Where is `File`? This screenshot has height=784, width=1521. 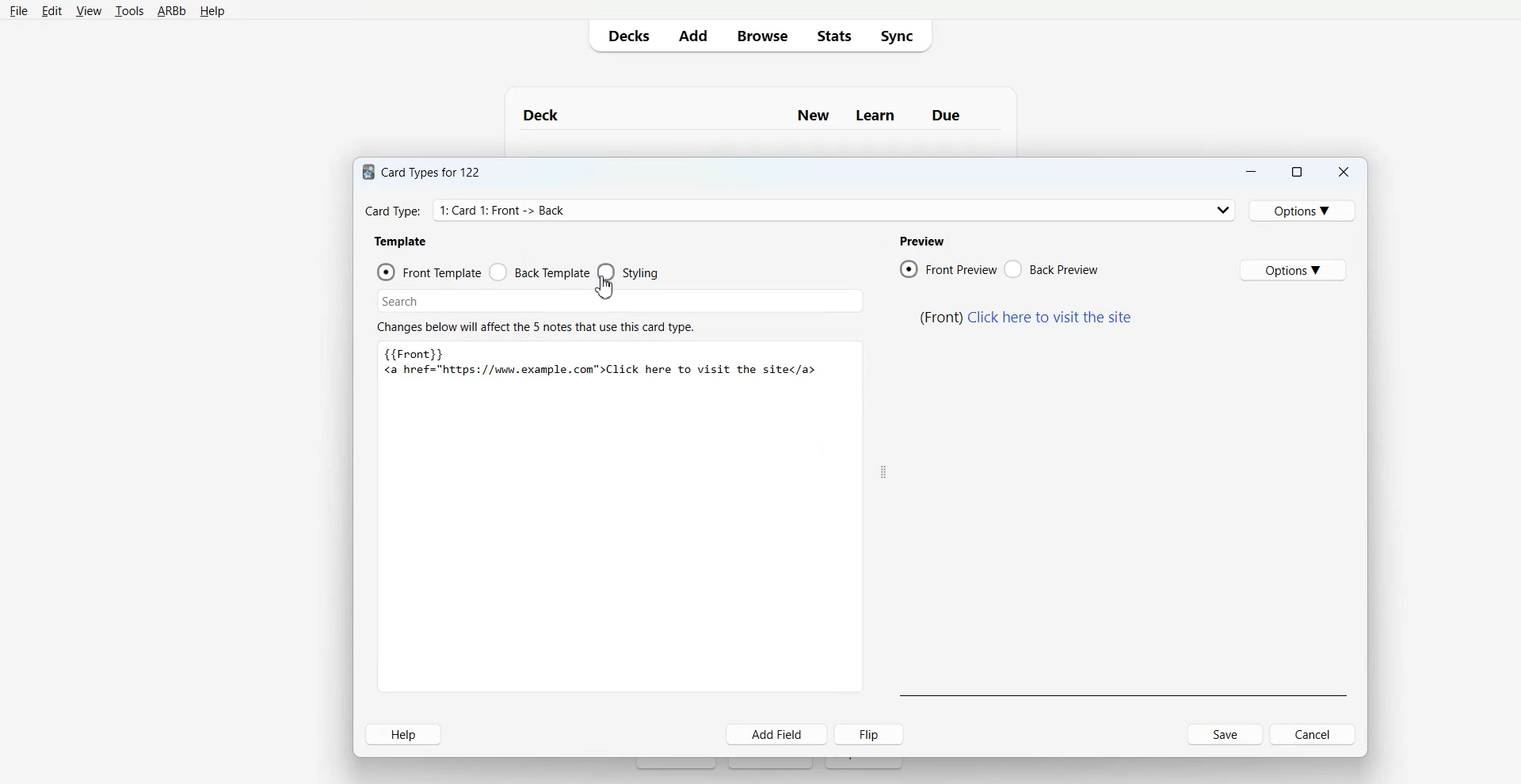 File is located at coordinates (18, 11).